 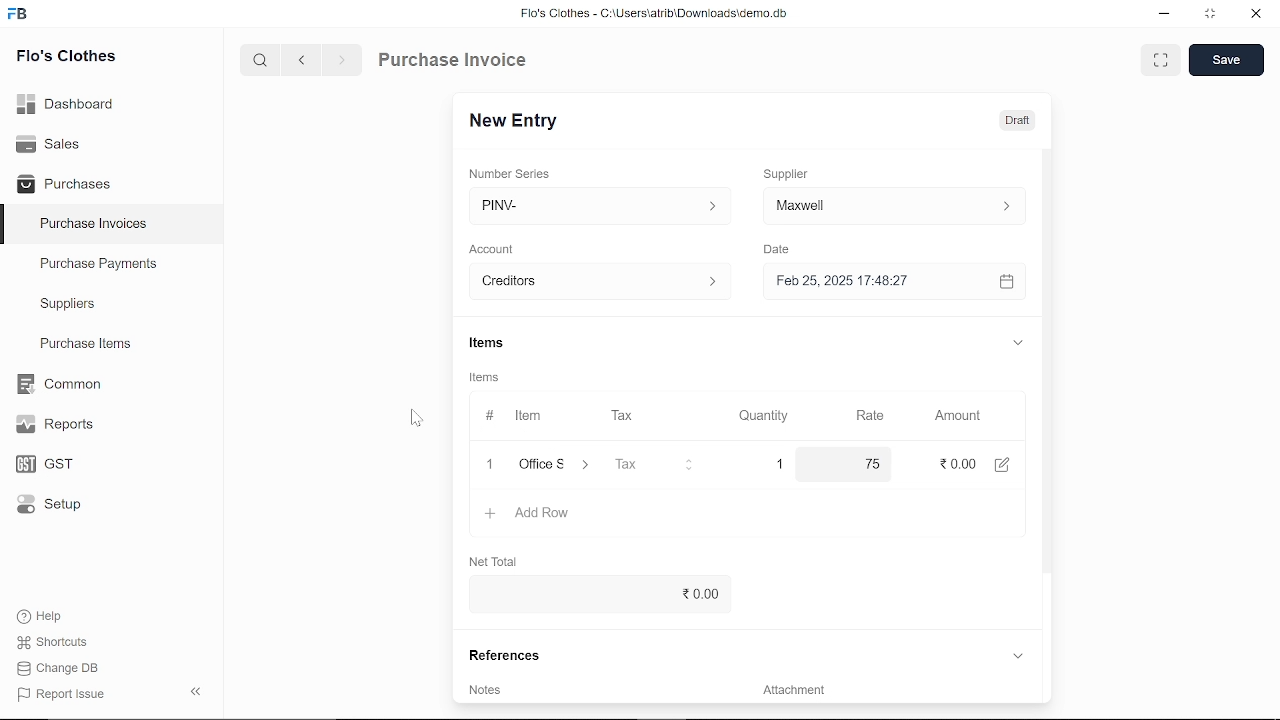 What do you see at coordinates (1226, 61) in the screenshot?
I see `save` at bounding box center [1226, 61].